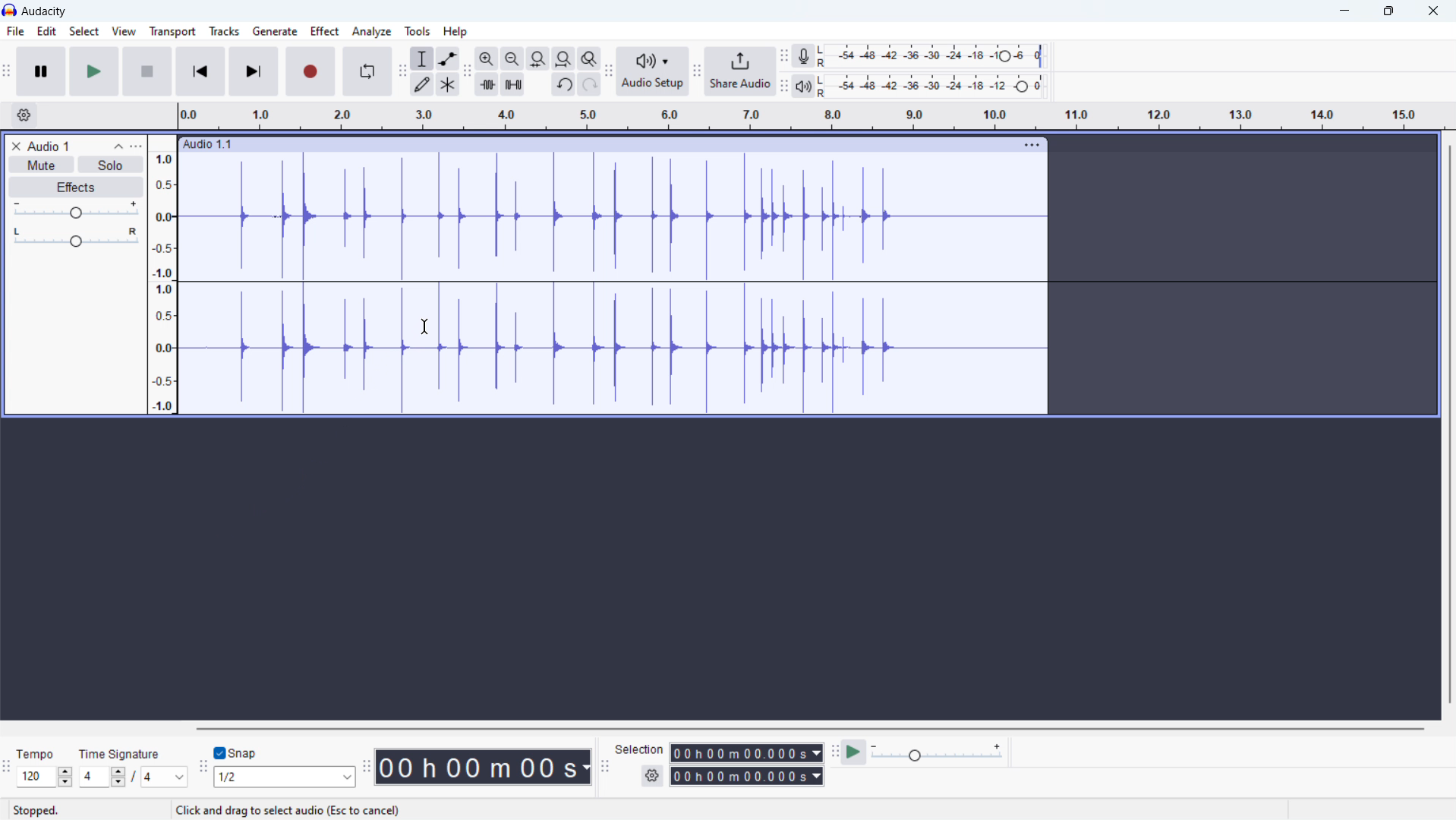 The image size is (1456, 820). What do you see at coordinates (254, 71) in the screenshot?
I see `skip to end` at bounding box center [254, 71].